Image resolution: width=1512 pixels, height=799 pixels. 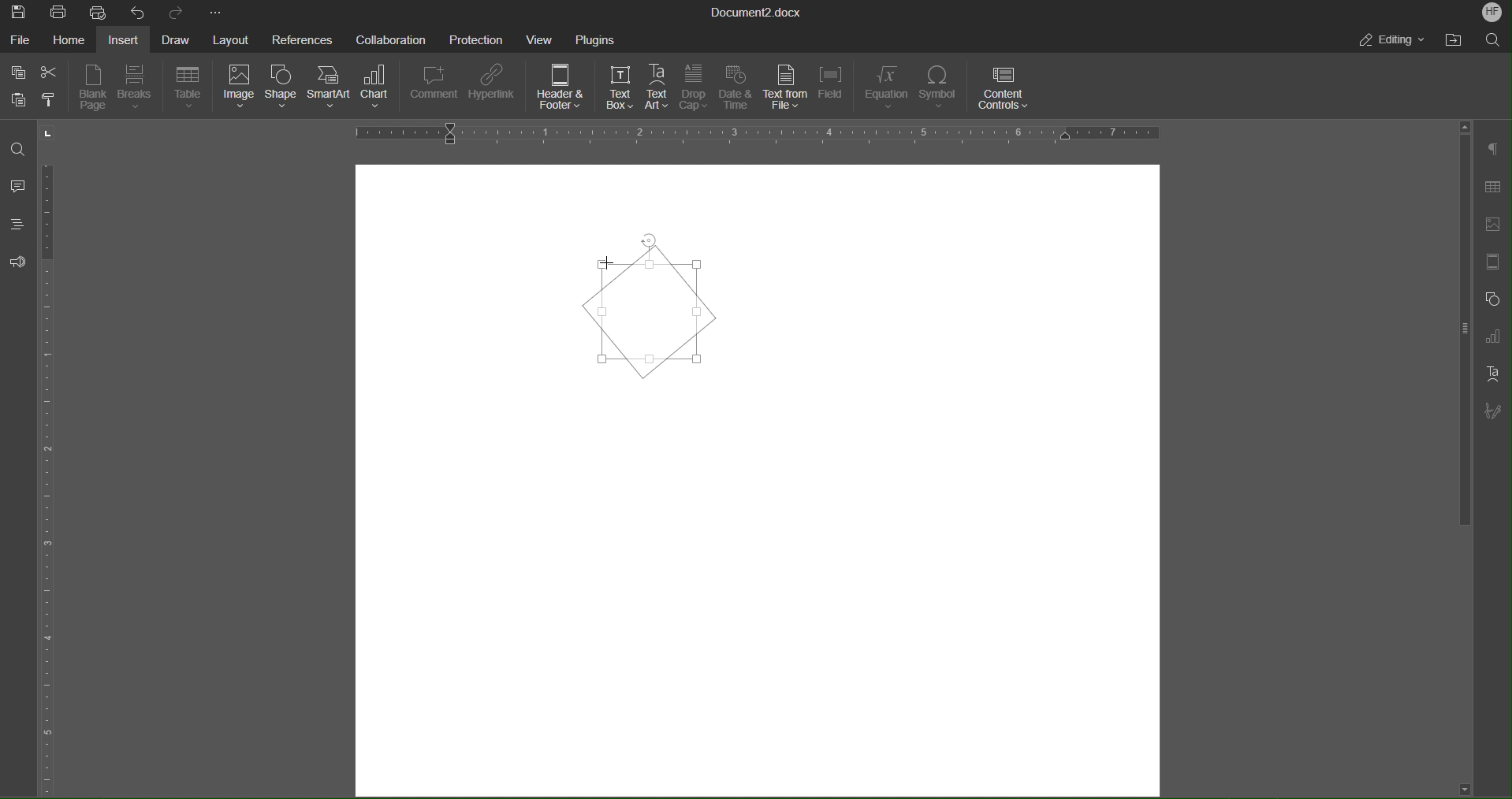 What do you see at coordinates (238, 89) in the screenshot?
I see `Image` at bounding box center [238, 89].